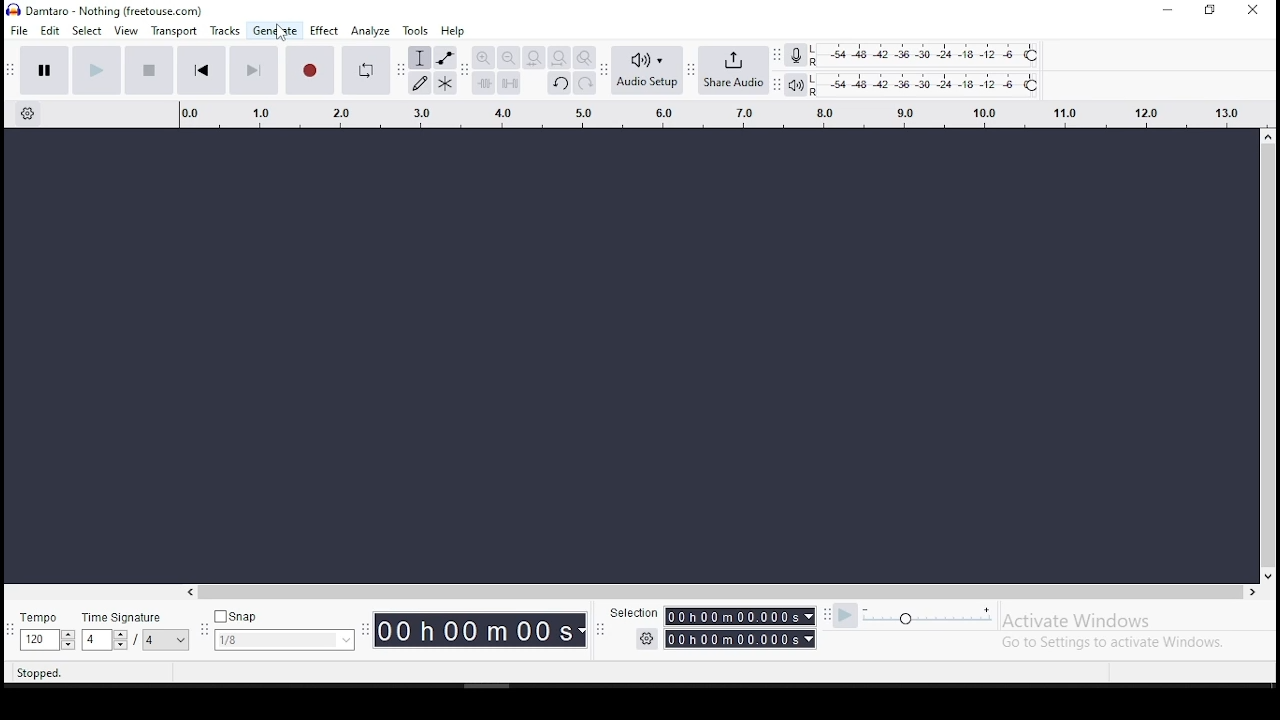 The image size is (1280, 720). Describe the element at coordinates (507, 57) in the screenshot. I see `zoom out` at that location.